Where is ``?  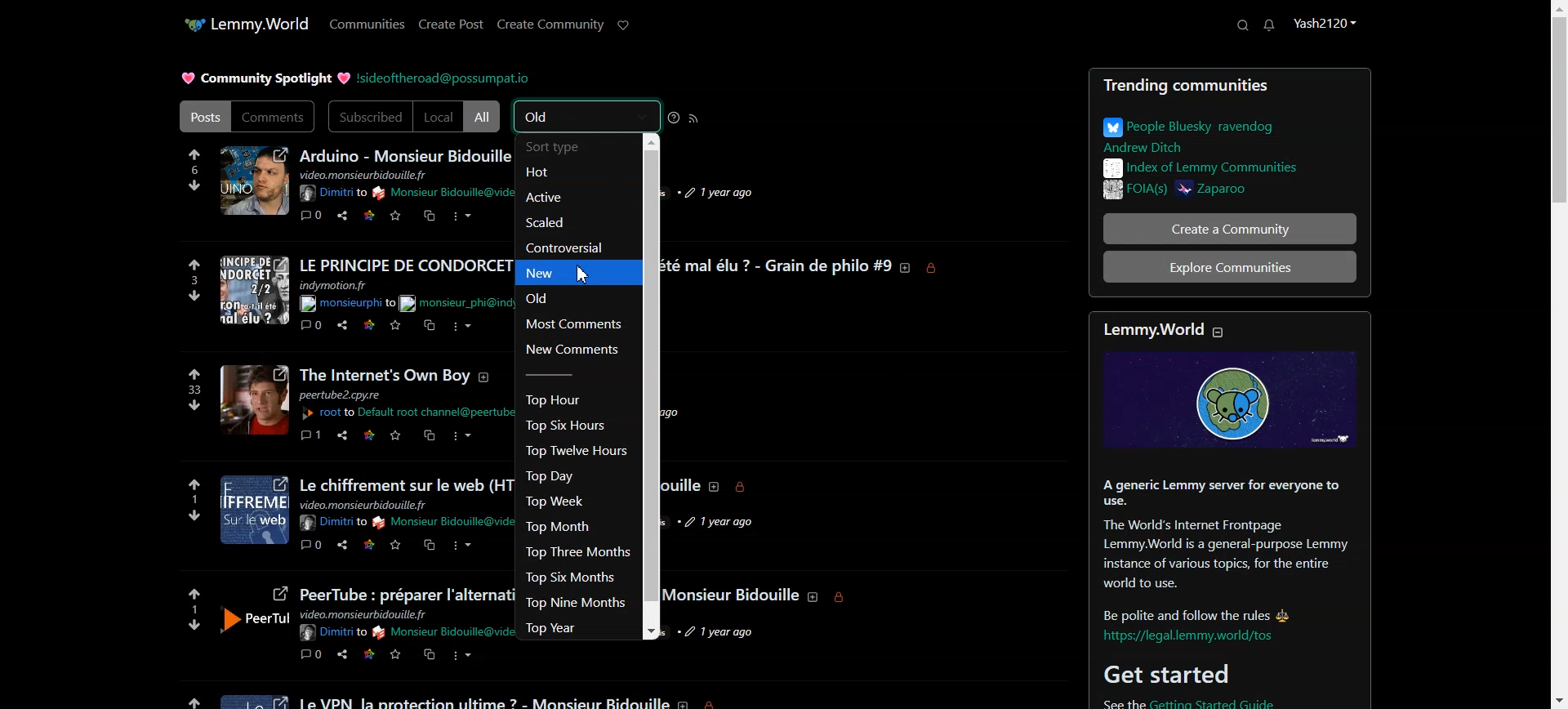
 is located at coordinates (195, 407).